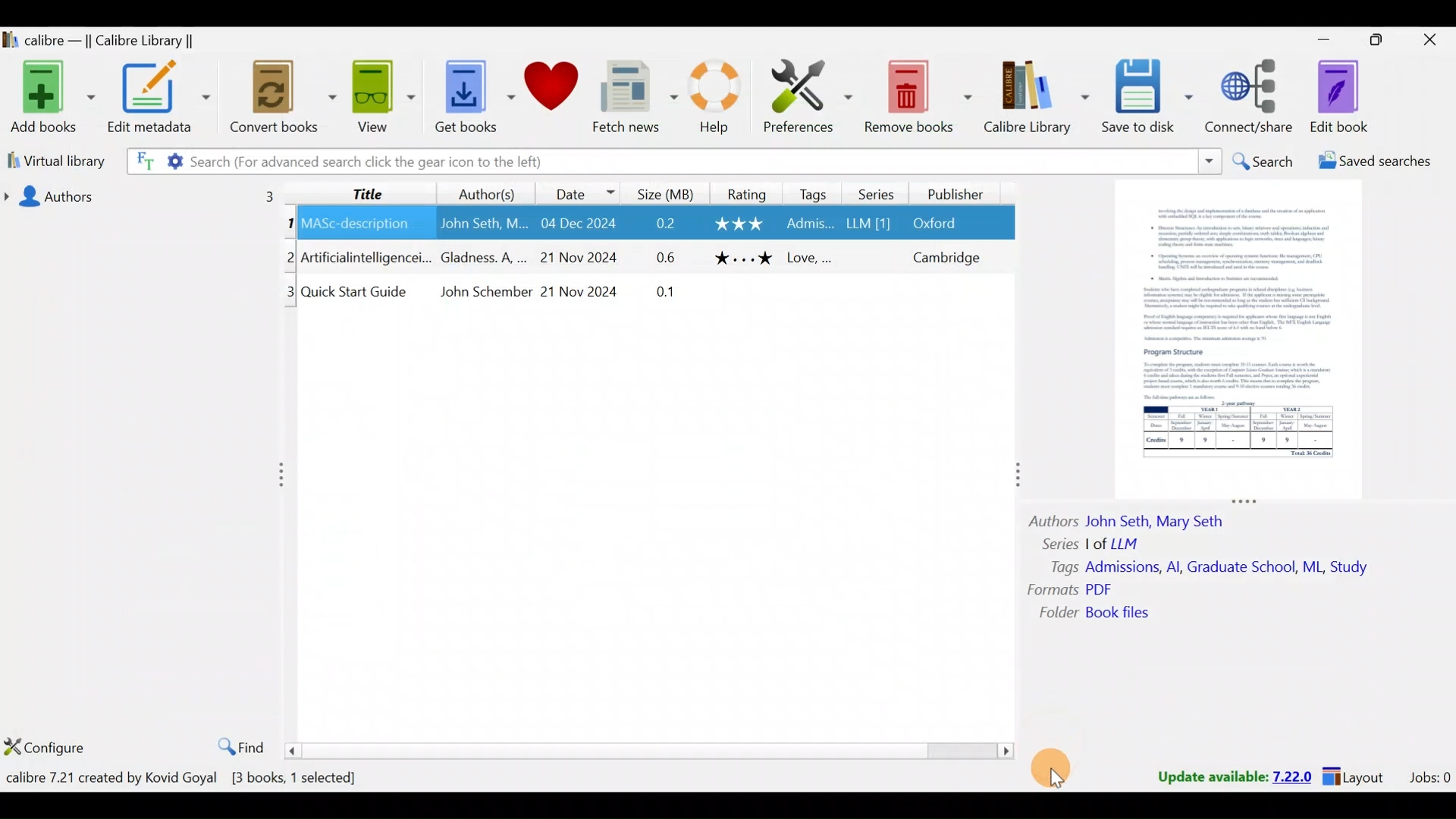 Image resolution: width=1456 pixels, height=819 pixels. I want to click on , so click(362, 293).